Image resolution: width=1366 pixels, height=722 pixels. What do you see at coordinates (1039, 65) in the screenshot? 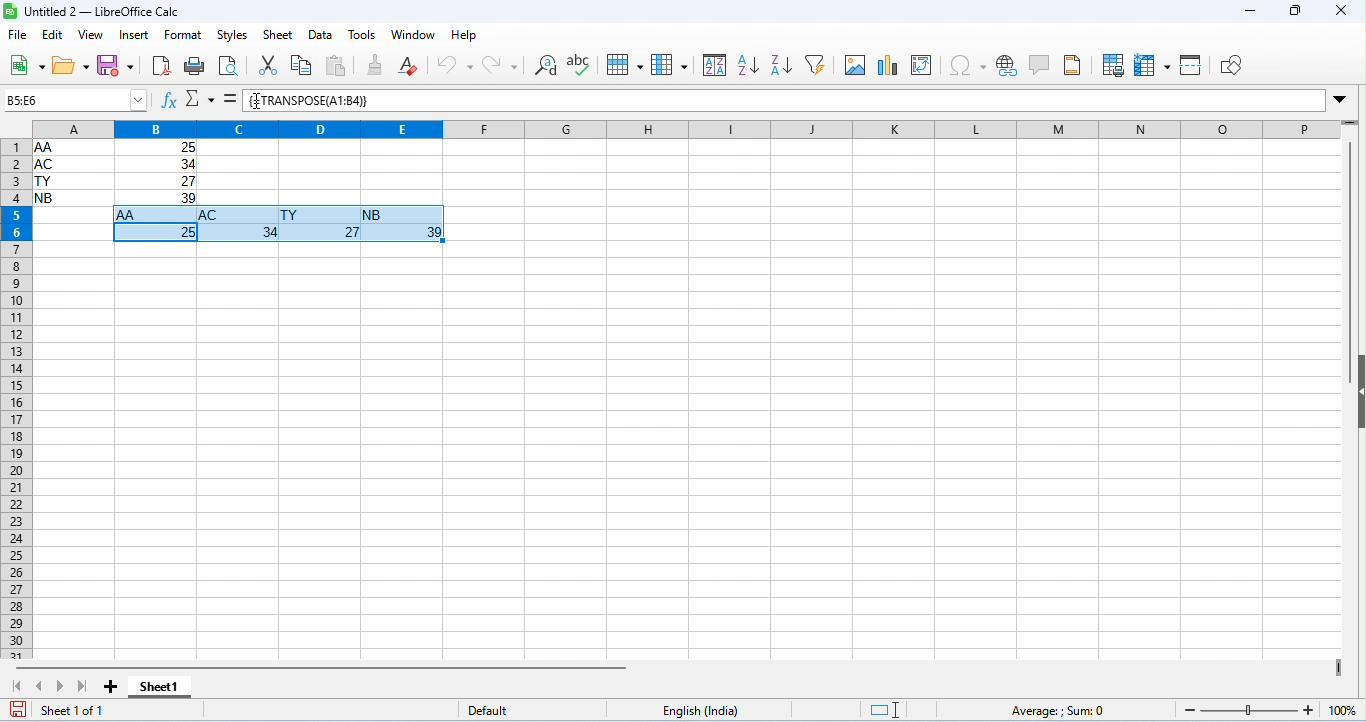
I see `insert comment` at bounding box center [1039, 65].